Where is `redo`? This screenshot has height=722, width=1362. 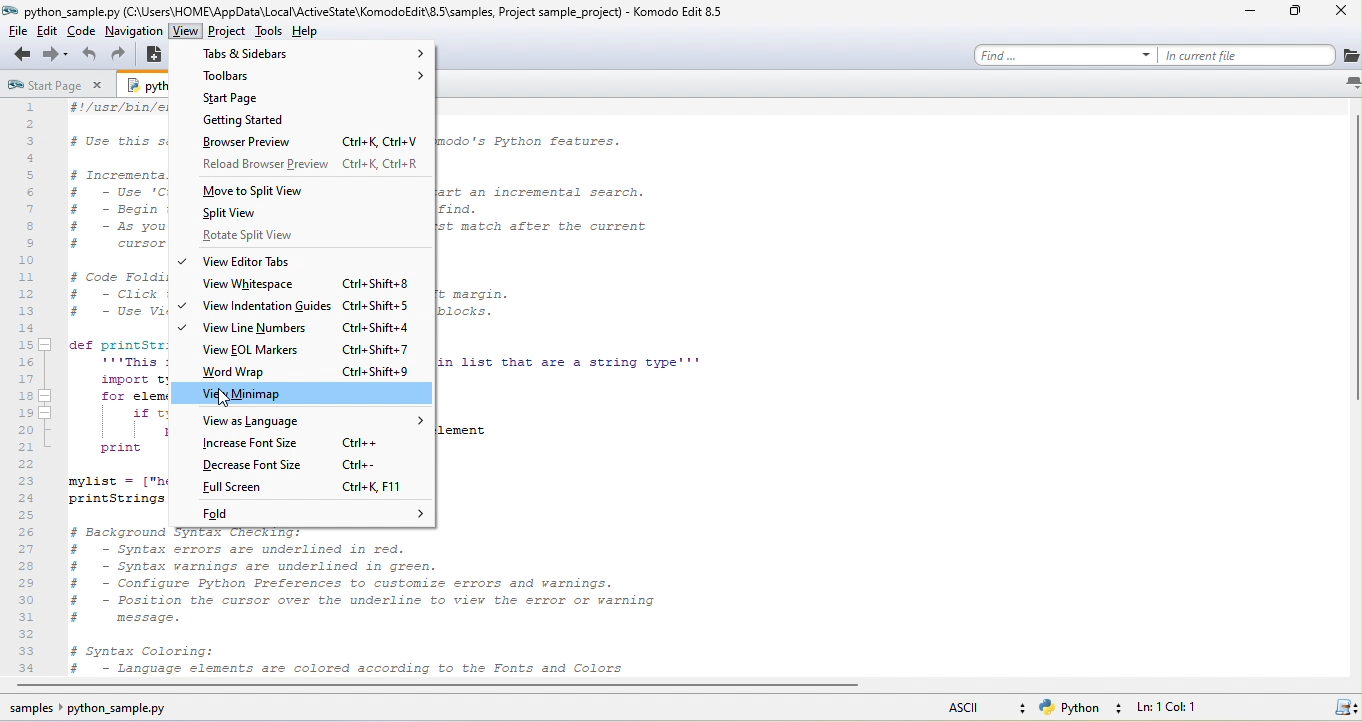 redo is located at coordinates (124, 59).